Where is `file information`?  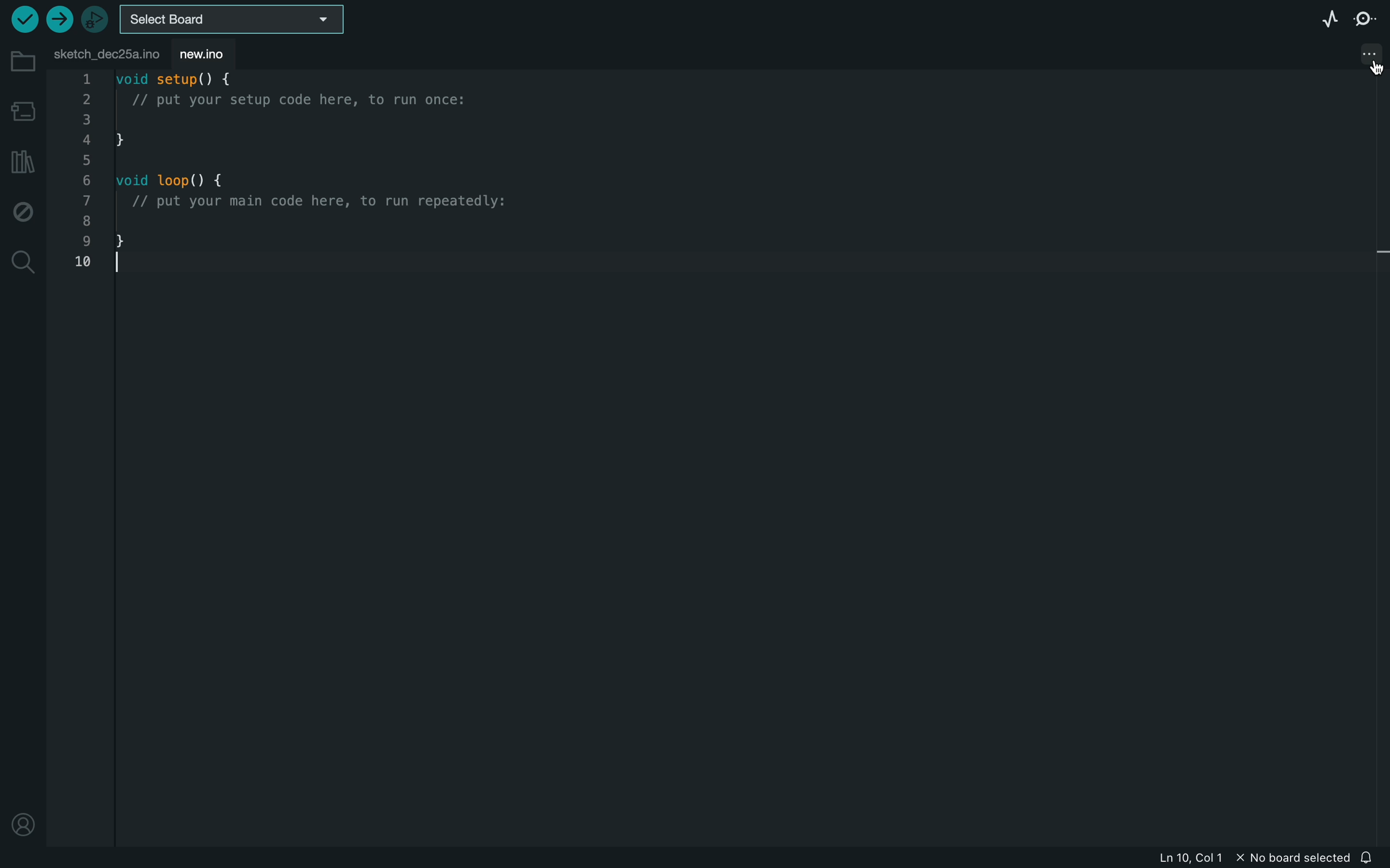 file information is located at coordinates (1256, 859).